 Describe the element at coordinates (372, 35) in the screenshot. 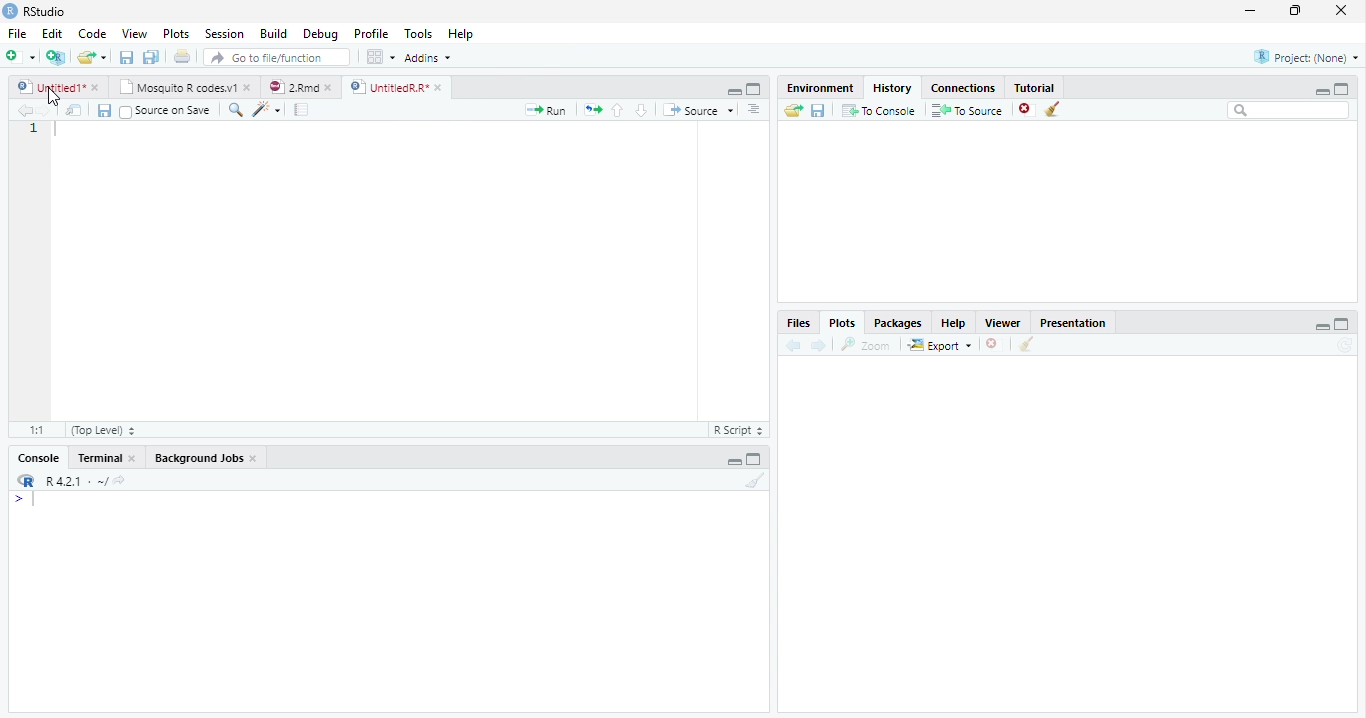

I see `Profile` at that location.